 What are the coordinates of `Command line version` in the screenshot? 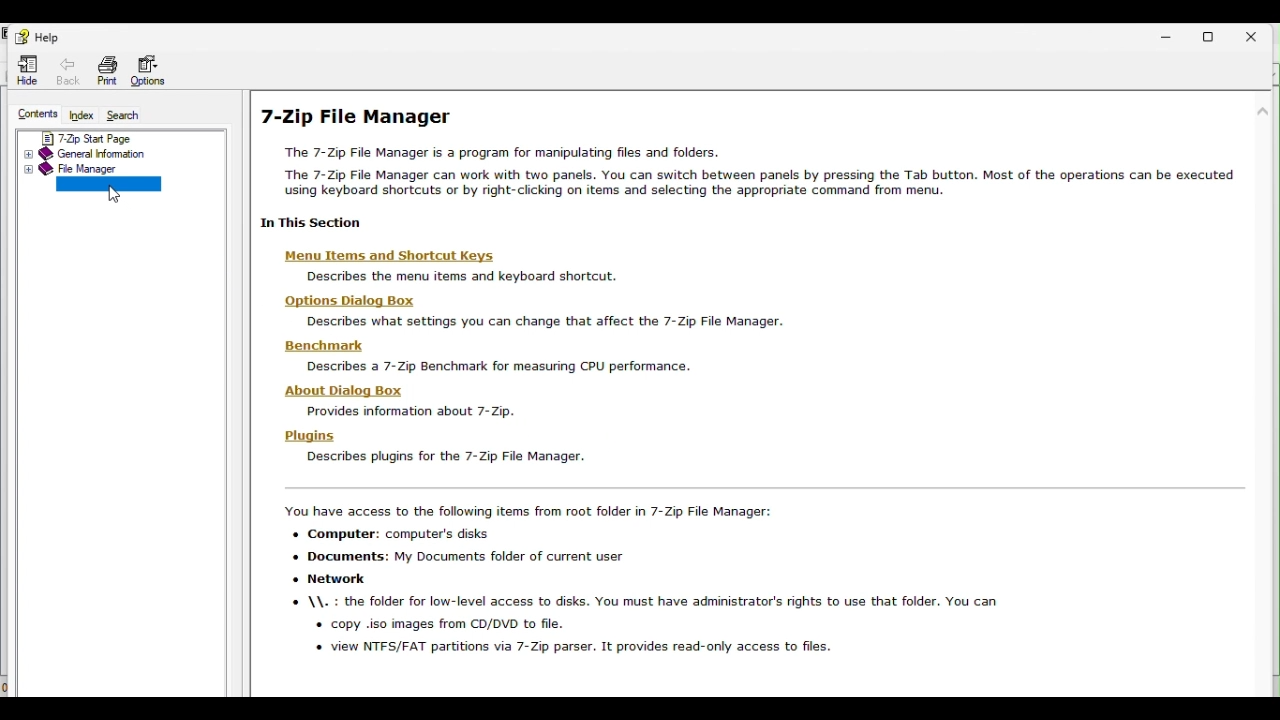 It's located at (111, 184).